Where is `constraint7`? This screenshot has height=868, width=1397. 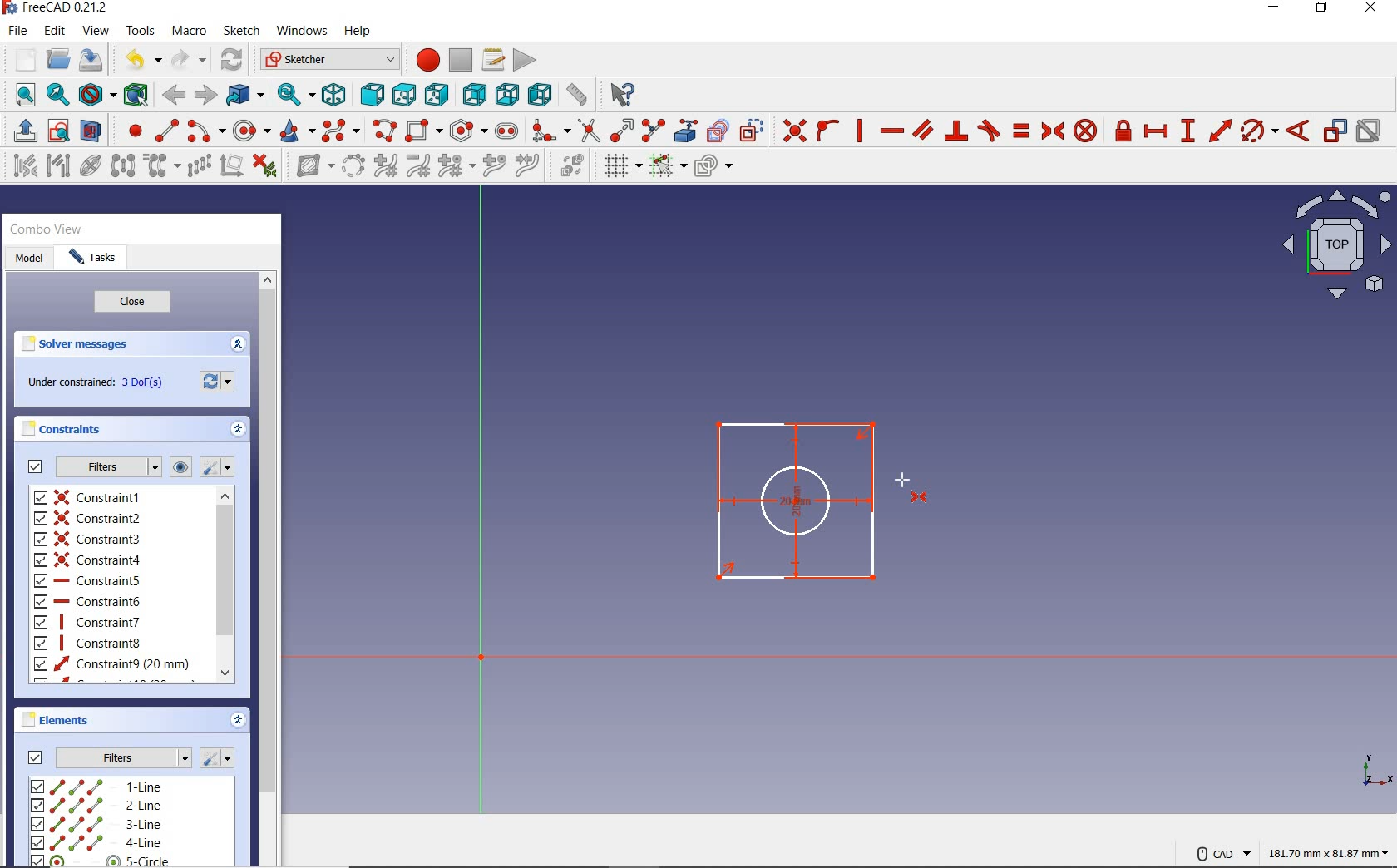 constraint7 is located at coordinates (88, 622).